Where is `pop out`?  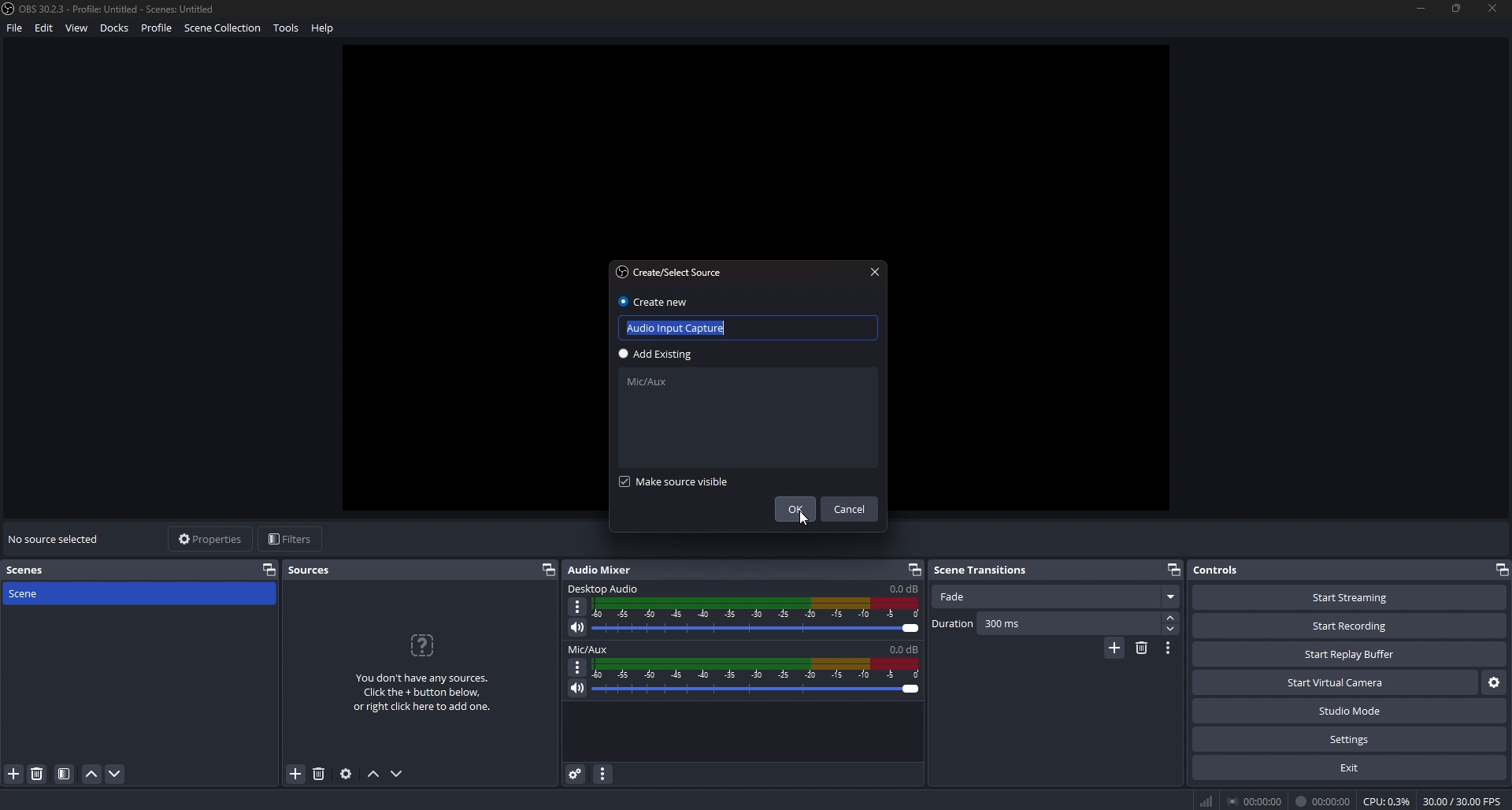 pop out is located at coordinates (1503, 570).